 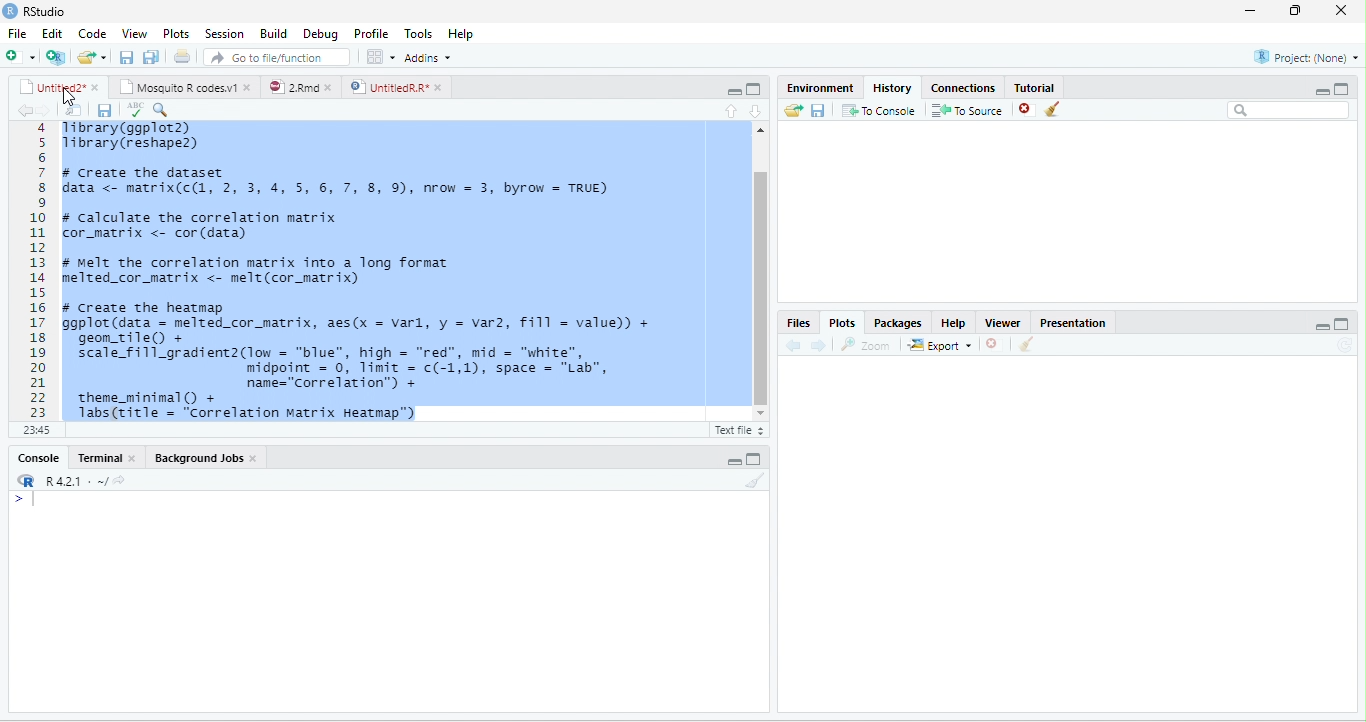 What do you see at coordinates (817, 110) in the screenshot?
I see `save` at bounding box center [817, 110].